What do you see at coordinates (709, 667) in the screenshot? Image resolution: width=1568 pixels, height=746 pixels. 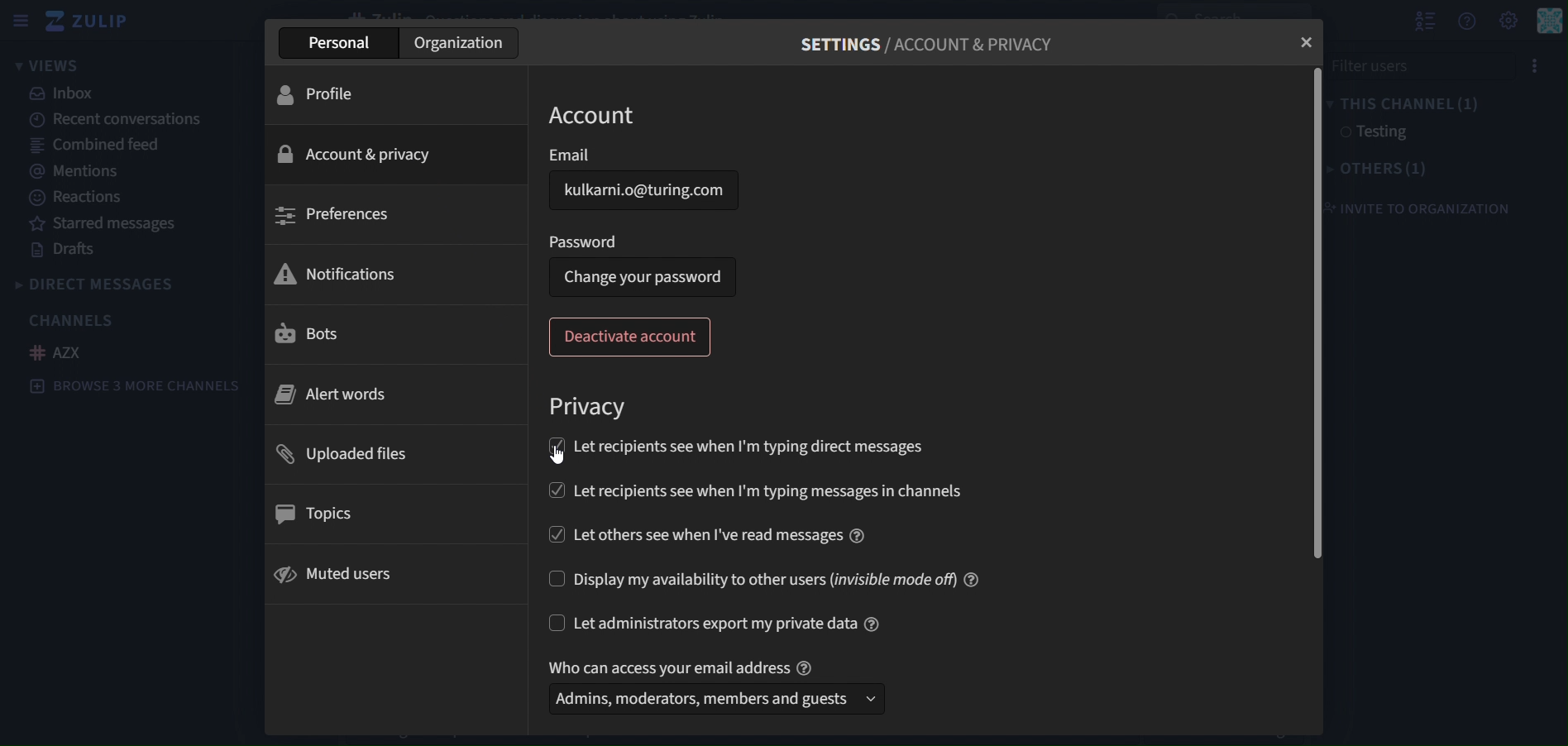 I see `who can access your email address` at bounding box center [709, 667].